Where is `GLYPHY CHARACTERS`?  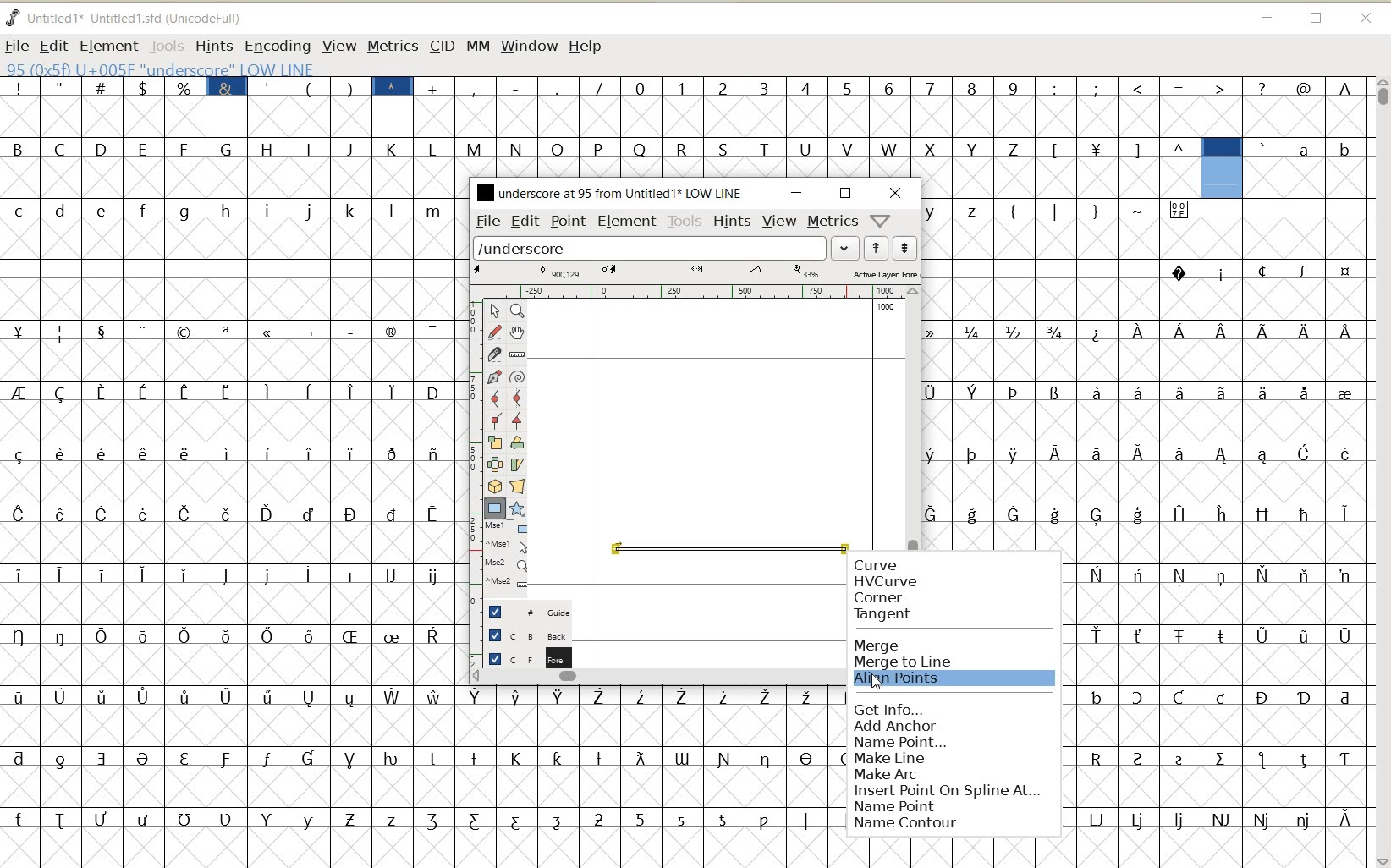
GLYPHY CHARACTERS is located at coordinates (1059, 343).